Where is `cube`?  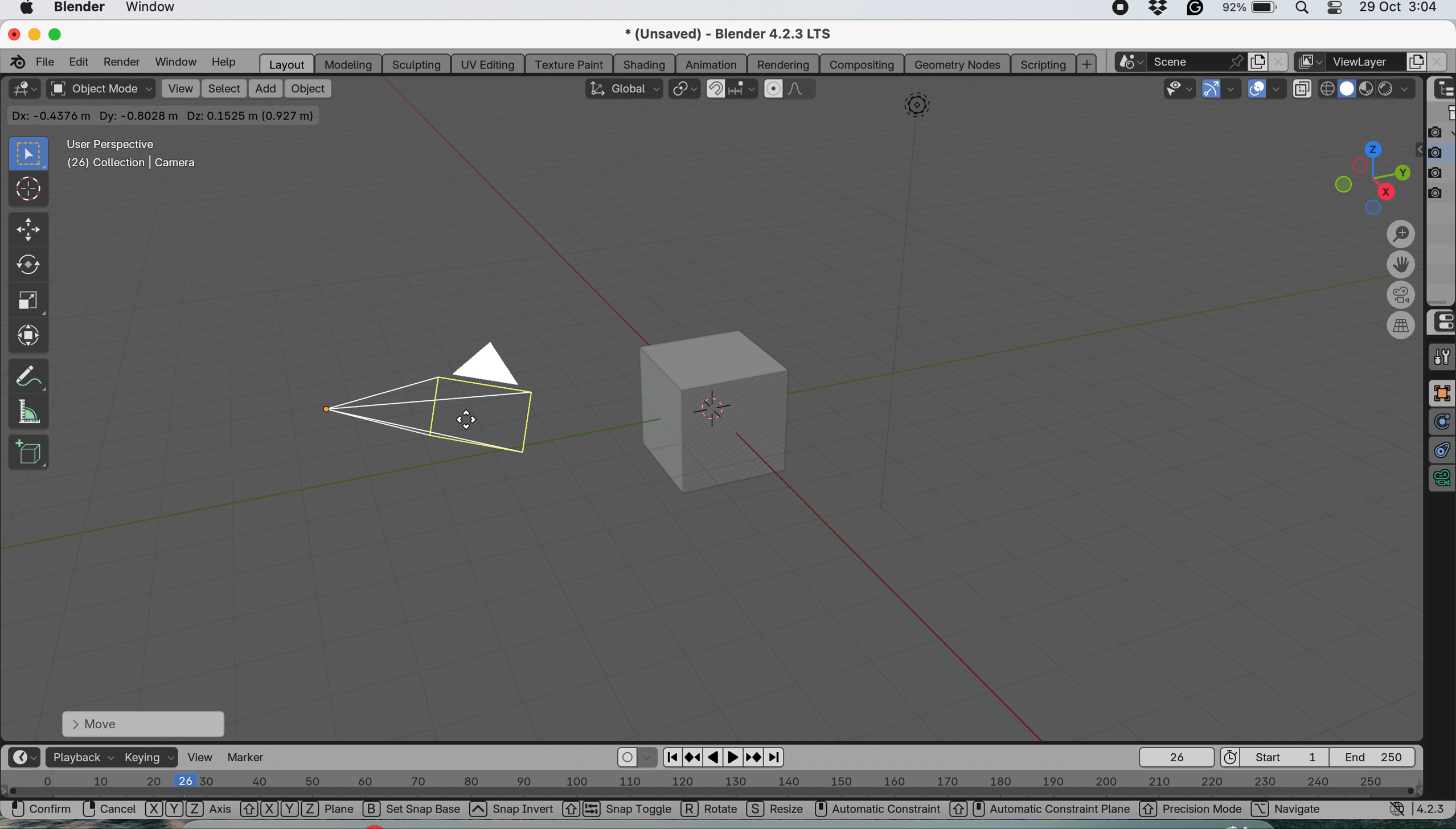 cube is located at coordinates (726, 409).